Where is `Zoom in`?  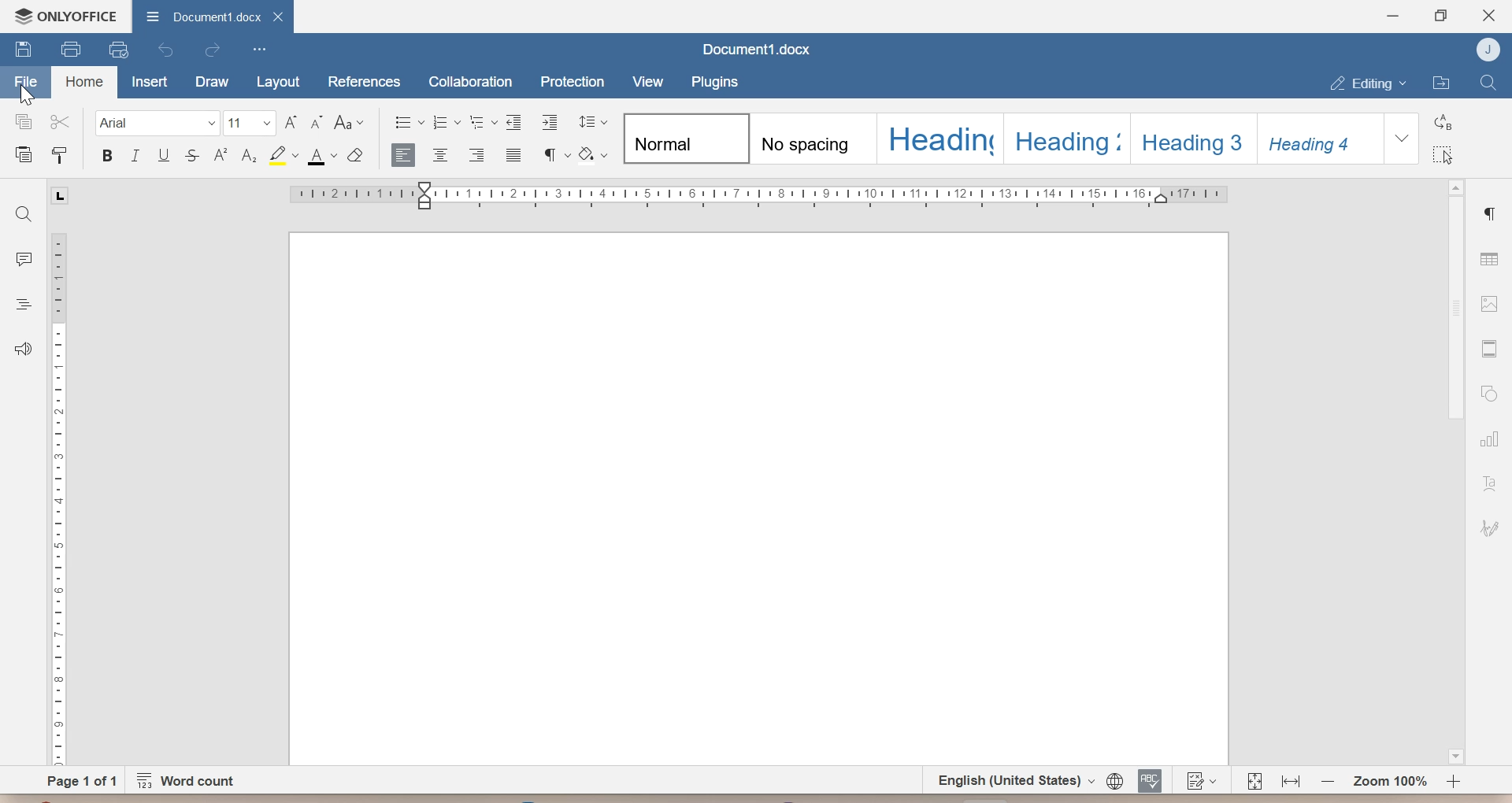 Zoom in is located at coordinates (1454, 782).